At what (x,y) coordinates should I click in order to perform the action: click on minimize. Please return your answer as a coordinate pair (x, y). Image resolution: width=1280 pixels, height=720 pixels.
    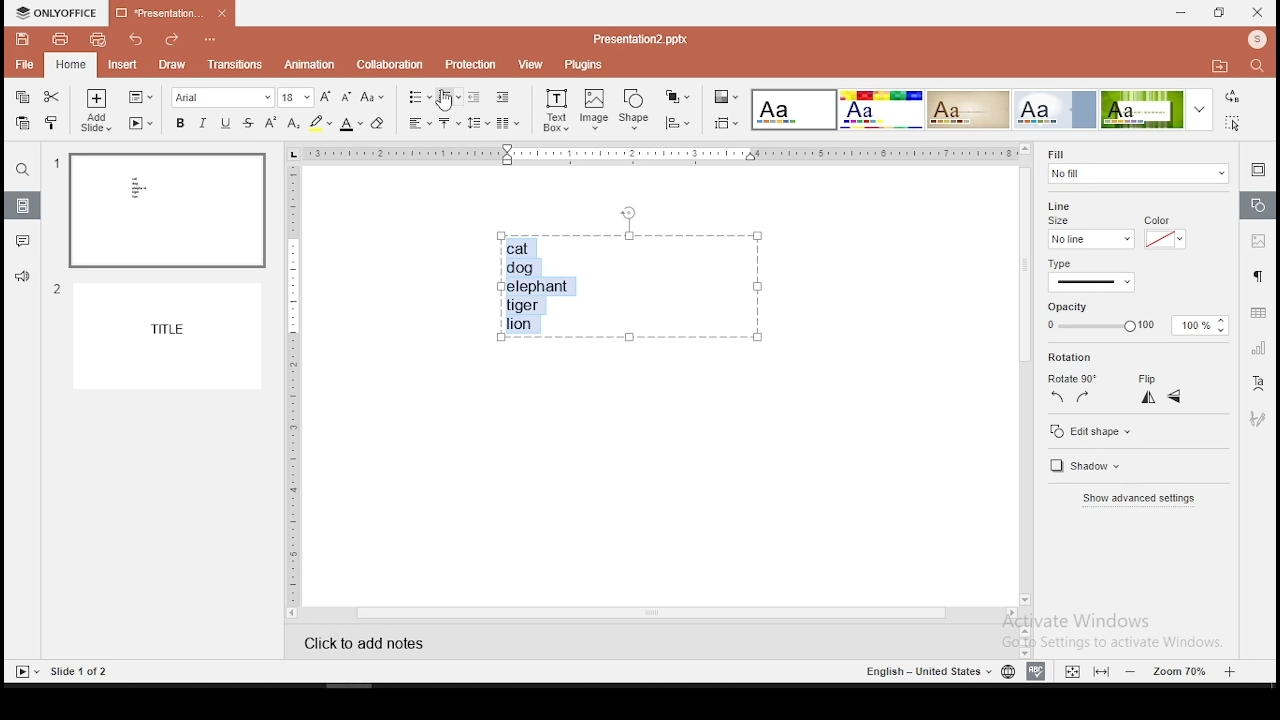
    Looking at the image, I should click on (1182, 13).